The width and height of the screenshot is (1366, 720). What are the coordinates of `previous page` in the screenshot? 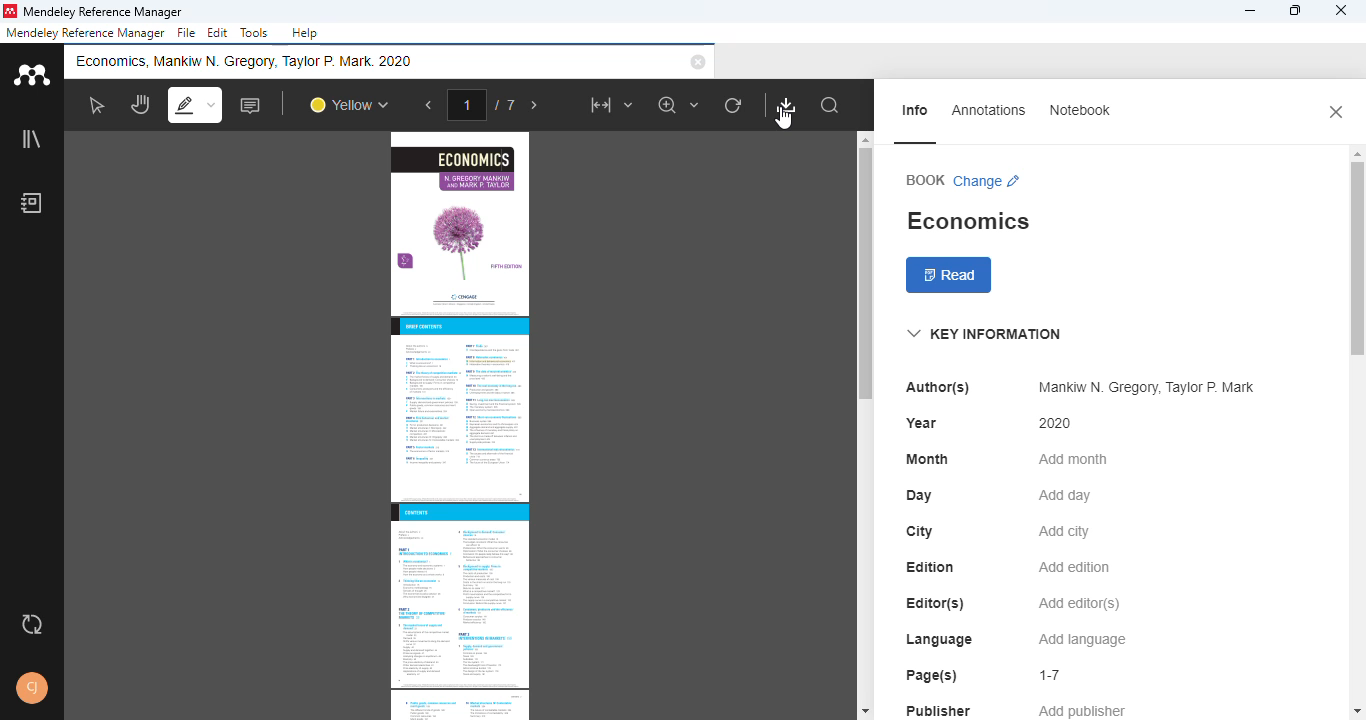 It's located at (429, 106).